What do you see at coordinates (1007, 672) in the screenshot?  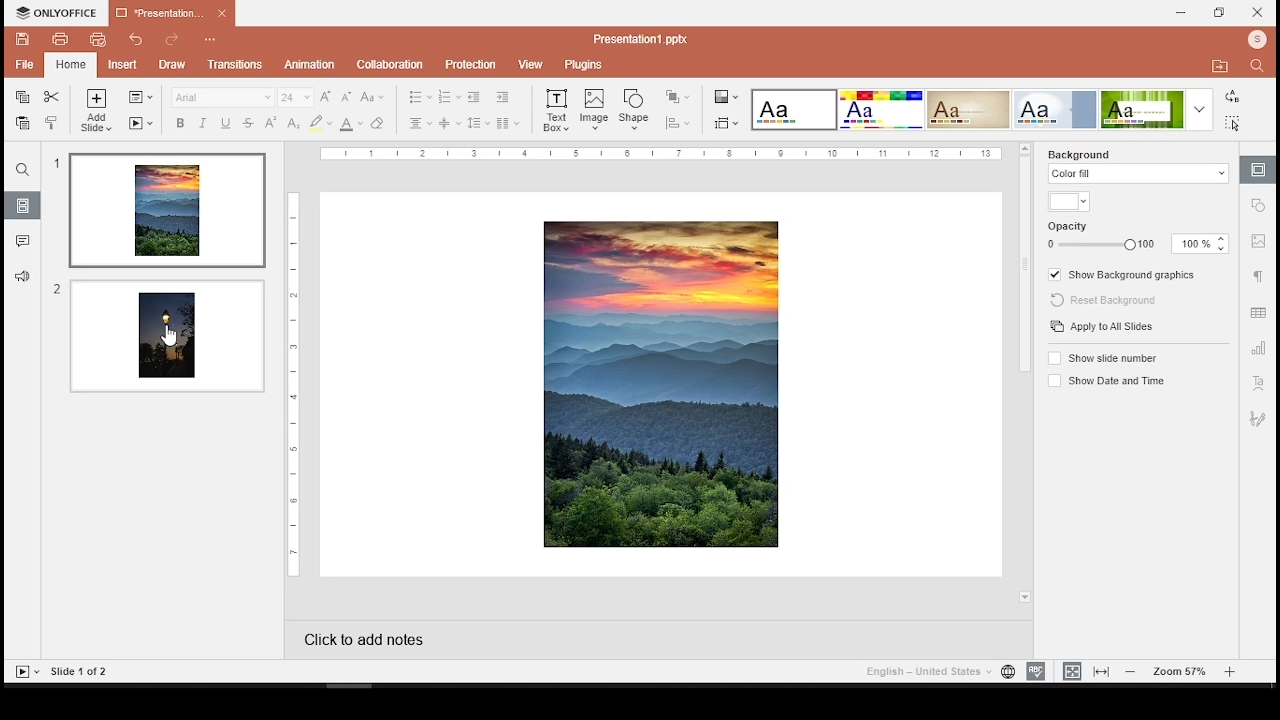 I see `language` at bounding box center [1007, 672].